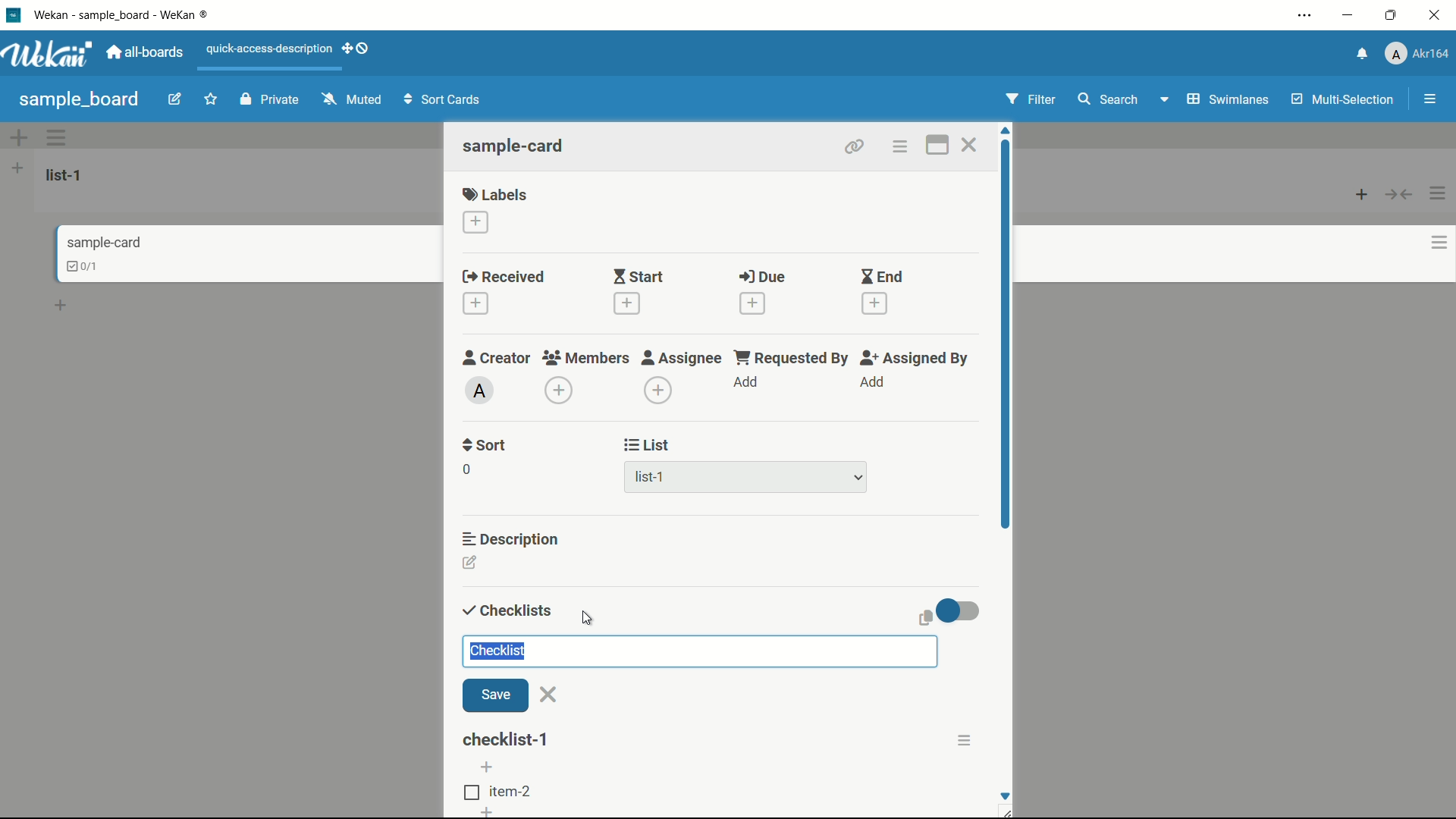 This screenshot has width=1456, height=819. Describe the element at coordinates (585, 359) in the screenshot. I see `members` at that location.